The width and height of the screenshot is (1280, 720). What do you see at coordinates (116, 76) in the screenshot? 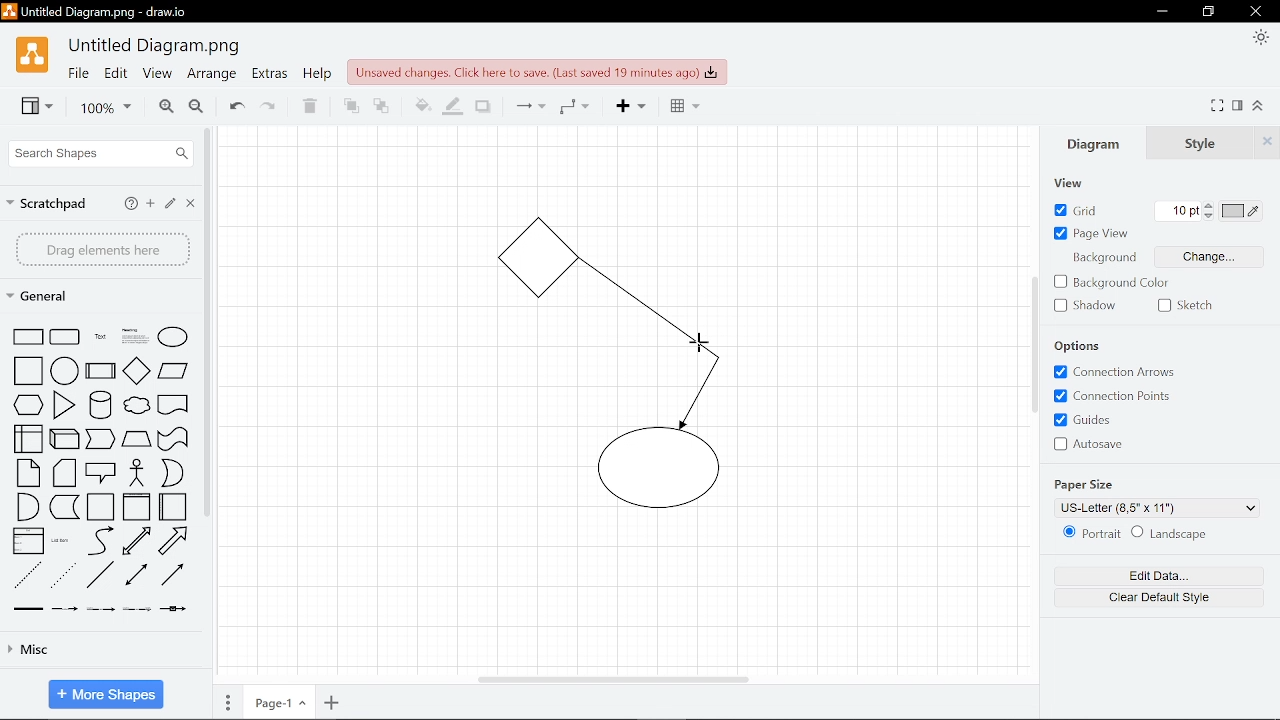
I see `Edit` at bounding box center [116, 76].